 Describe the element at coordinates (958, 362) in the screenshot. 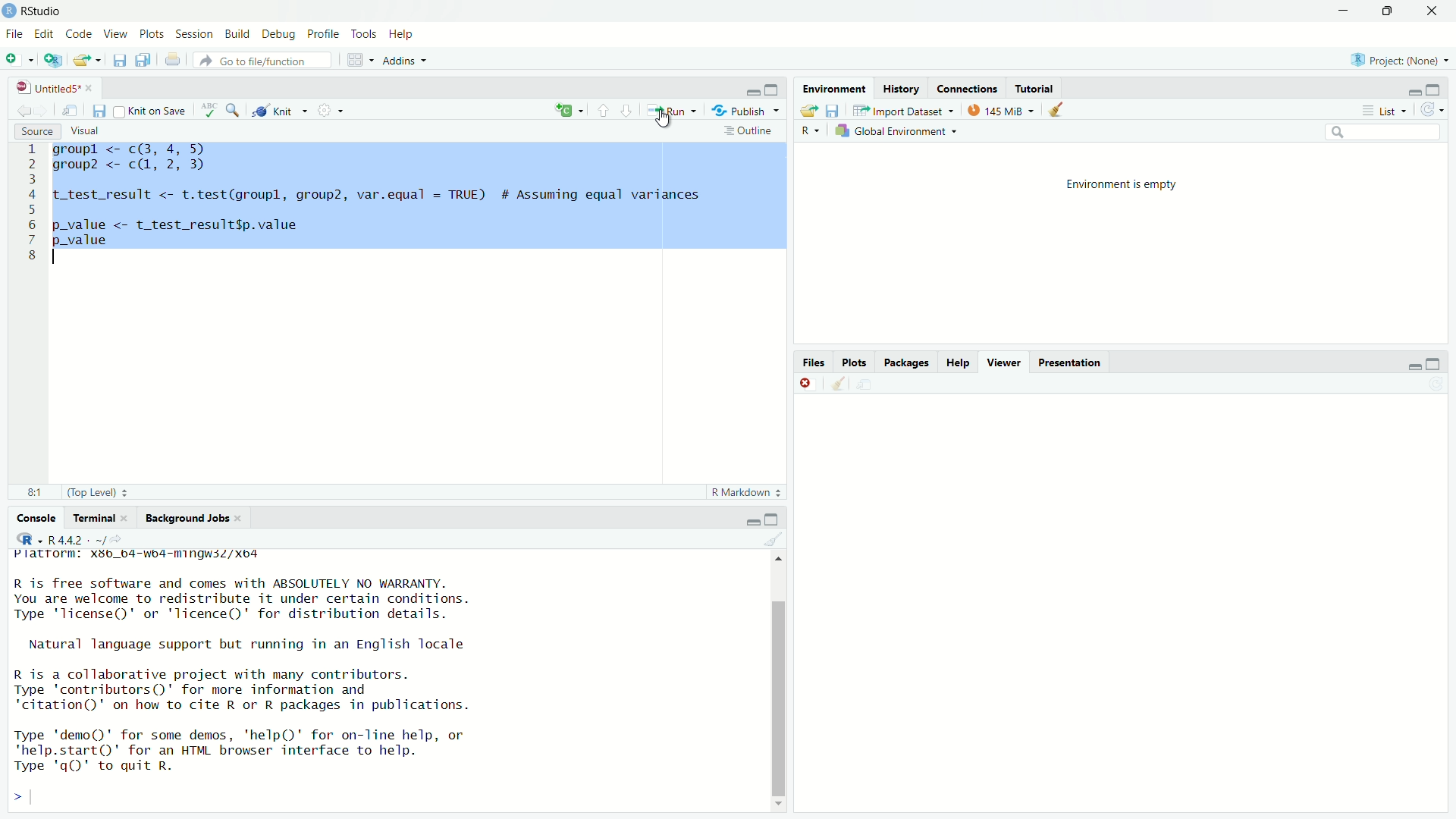

I see `Help` at that location.